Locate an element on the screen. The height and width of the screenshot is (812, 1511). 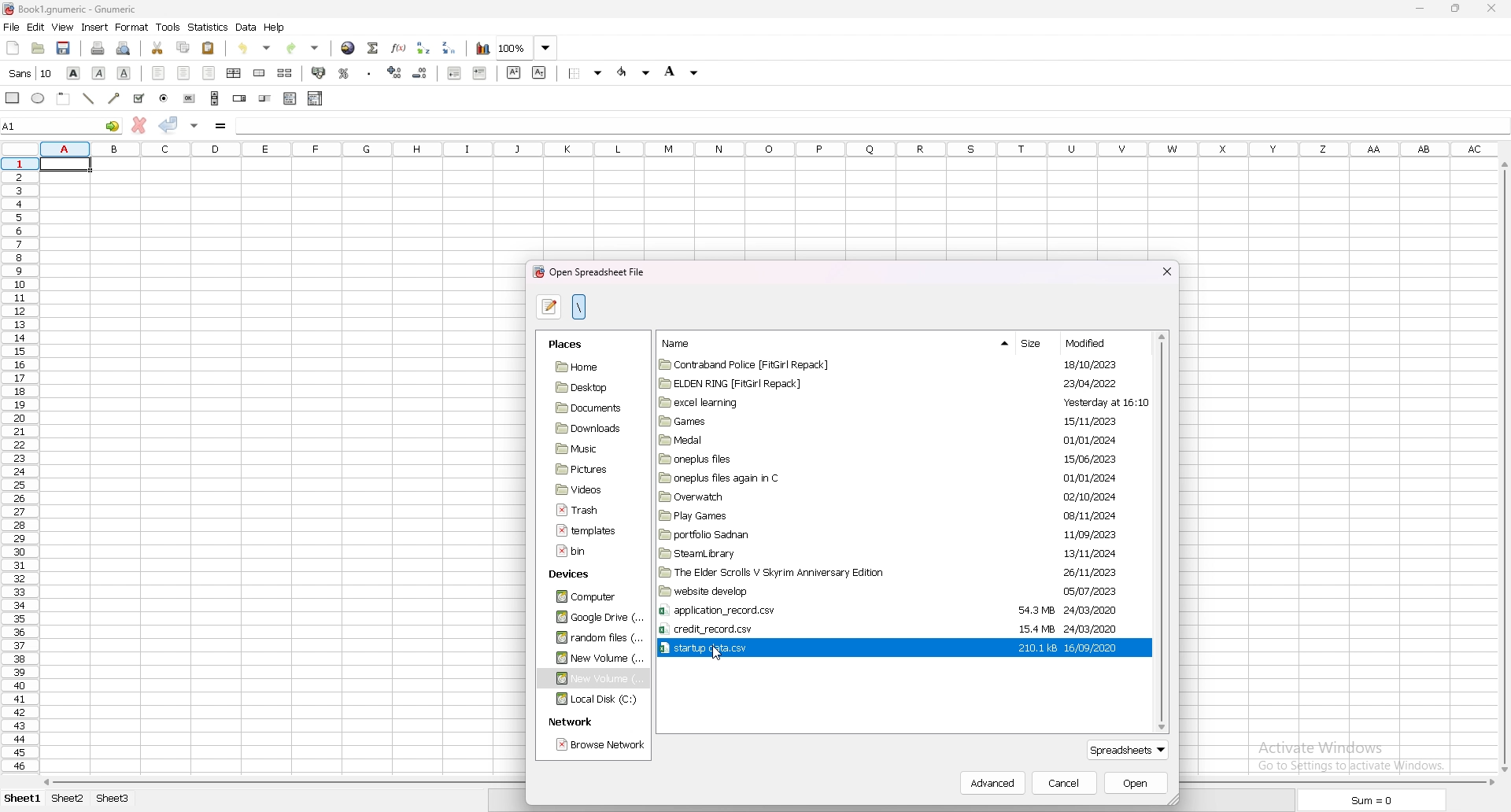
undo is located at coordinates (257, 49).